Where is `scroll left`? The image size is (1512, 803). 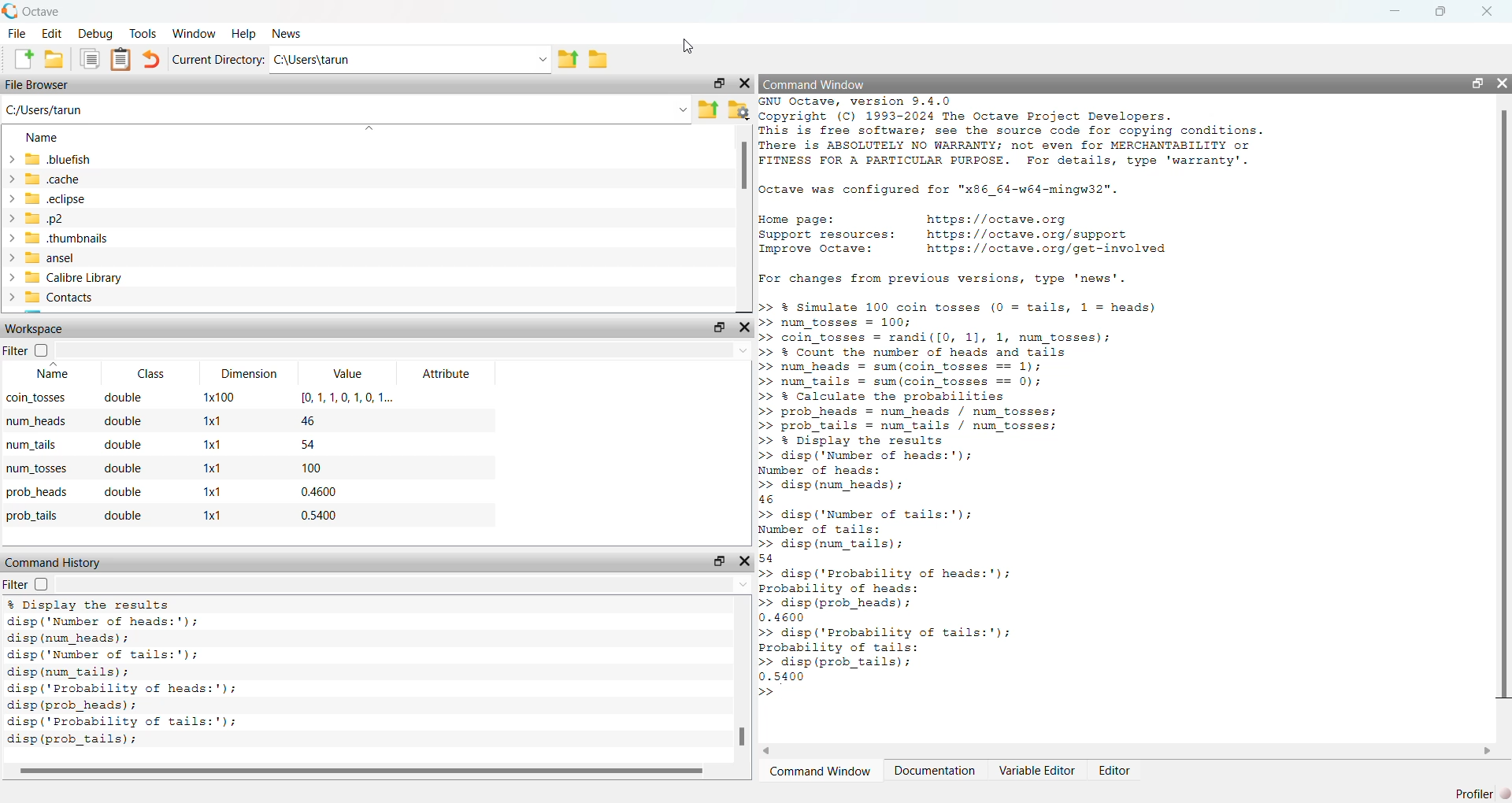
scroll left is located at coordinates (766, 750).